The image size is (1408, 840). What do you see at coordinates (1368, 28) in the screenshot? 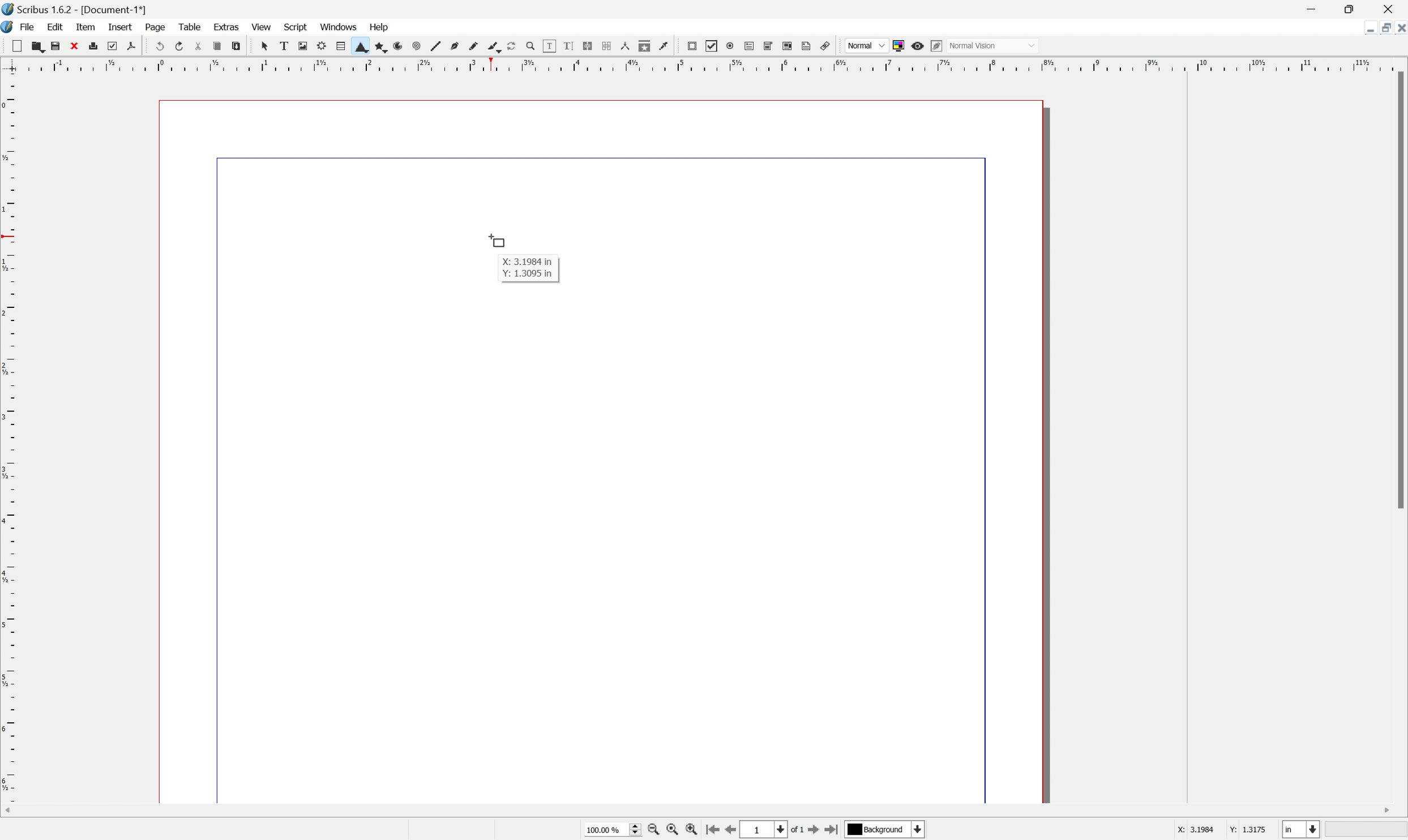
I see `Minimize` at bounding box center [1368, 28].